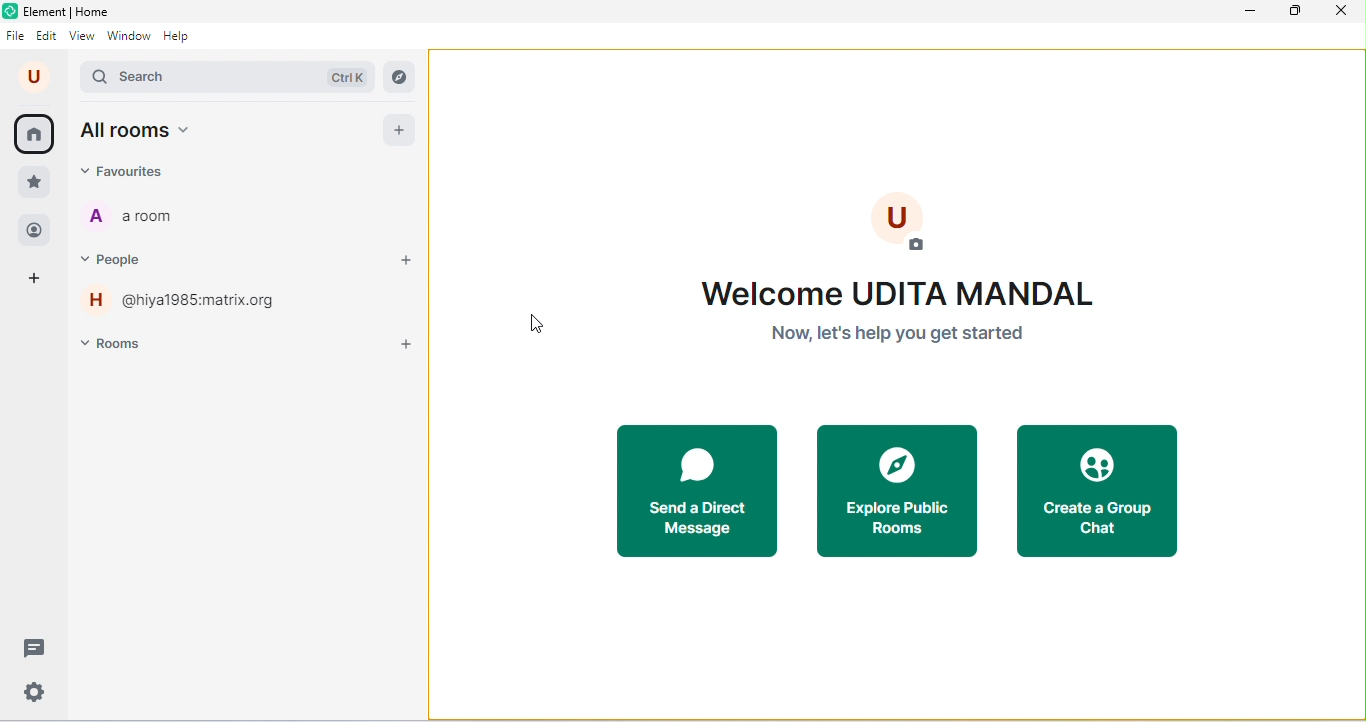  Describe the element at coordinates (34, 280) in the screenshot. I see `create a space` at that location.